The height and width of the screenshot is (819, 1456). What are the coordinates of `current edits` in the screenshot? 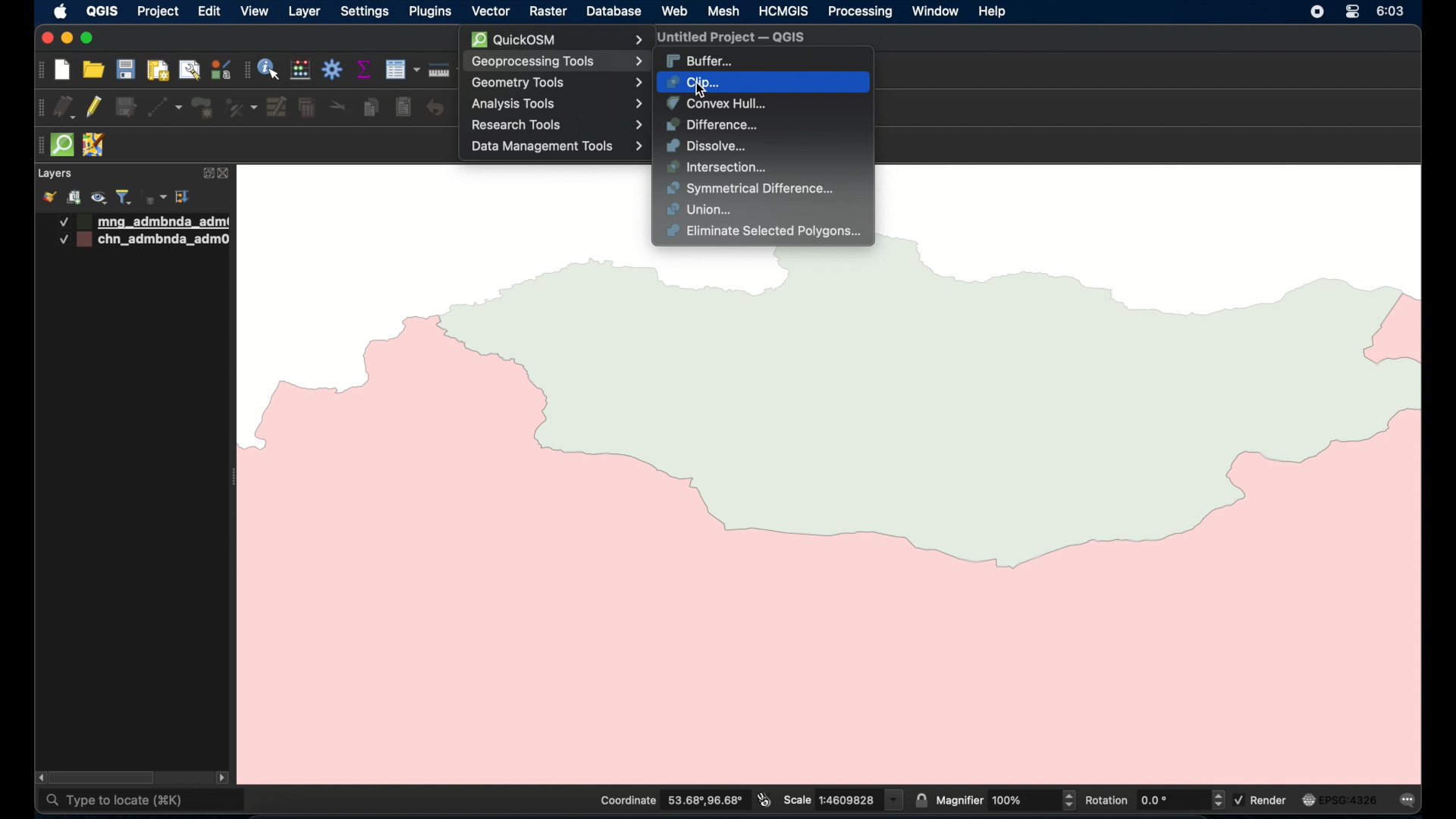 It's located at (65, 108).